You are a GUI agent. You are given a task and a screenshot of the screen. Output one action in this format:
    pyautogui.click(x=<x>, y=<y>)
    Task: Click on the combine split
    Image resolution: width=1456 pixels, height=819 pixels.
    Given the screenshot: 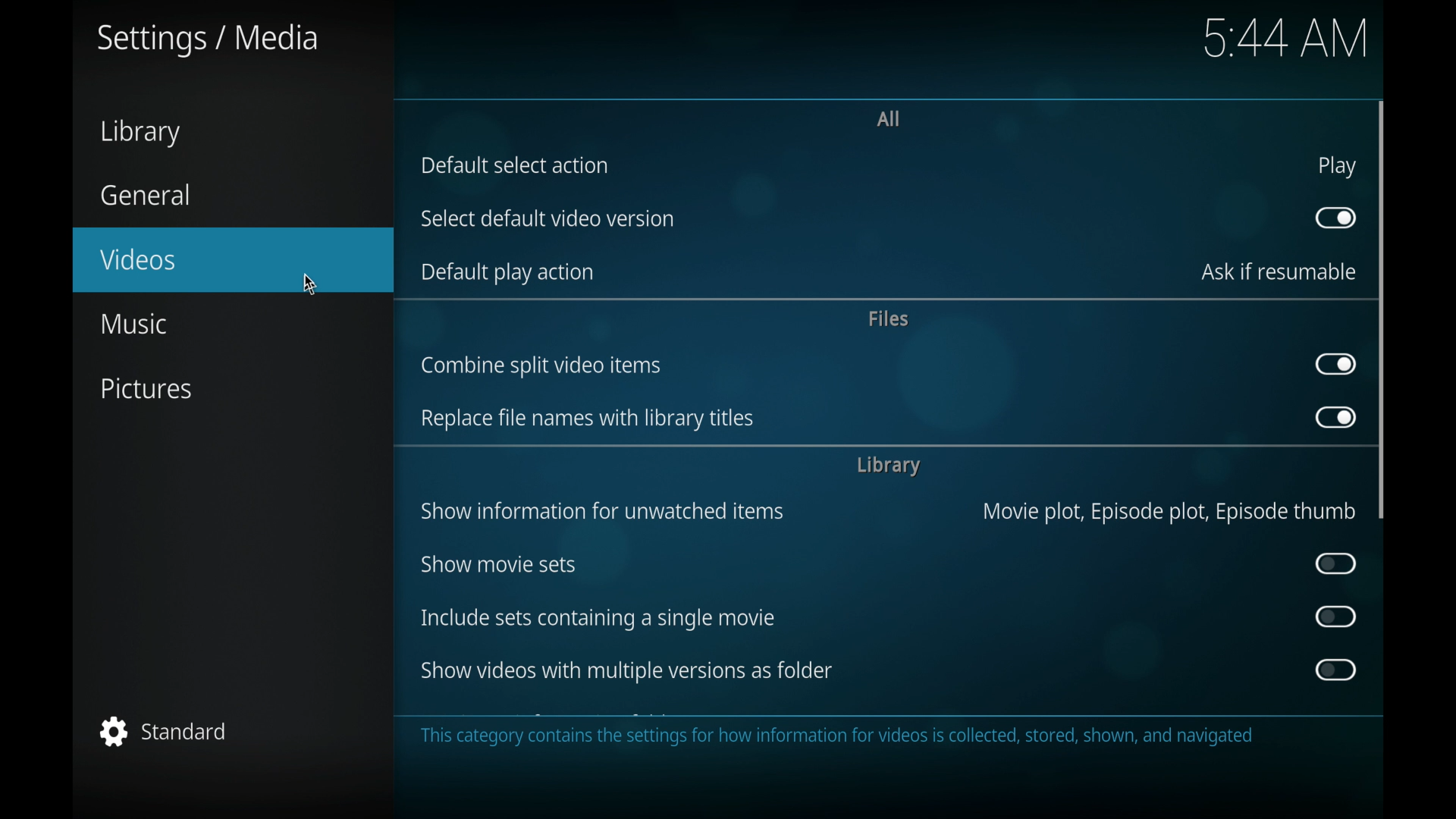 What is the action you would take?
    pyautogui.click(x=541, y=366)
    